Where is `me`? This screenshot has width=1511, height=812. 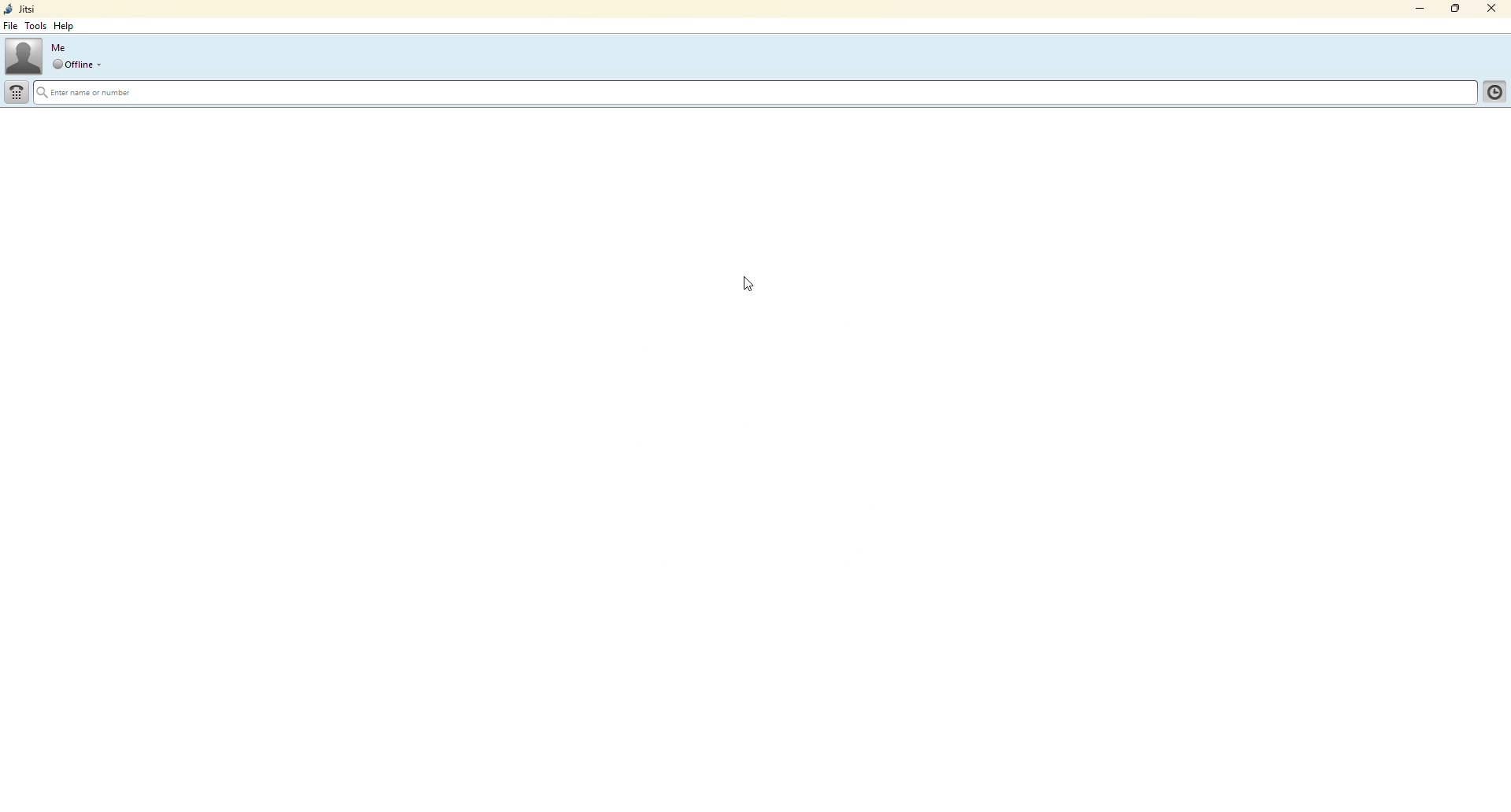 me is located at coordinates (59, 47).